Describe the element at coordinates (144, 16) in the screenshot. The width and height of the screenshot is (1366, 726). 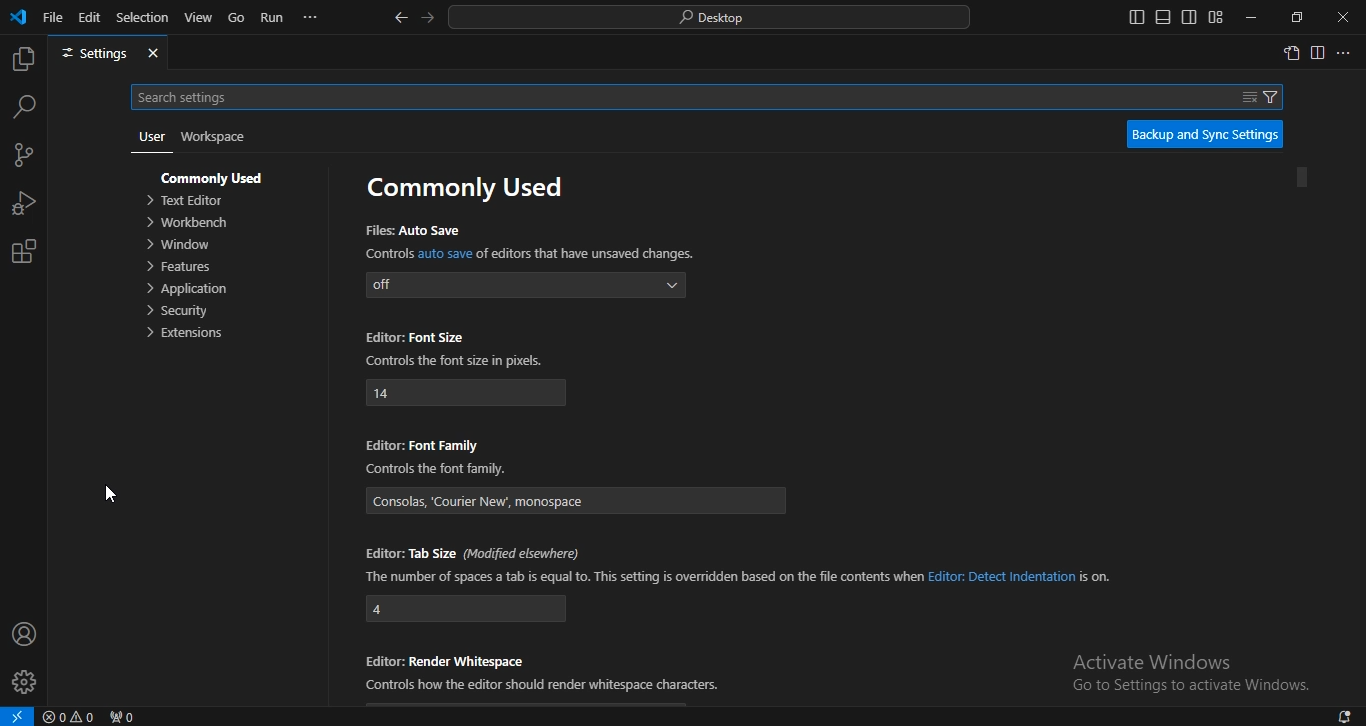
I see `selection` at that location.